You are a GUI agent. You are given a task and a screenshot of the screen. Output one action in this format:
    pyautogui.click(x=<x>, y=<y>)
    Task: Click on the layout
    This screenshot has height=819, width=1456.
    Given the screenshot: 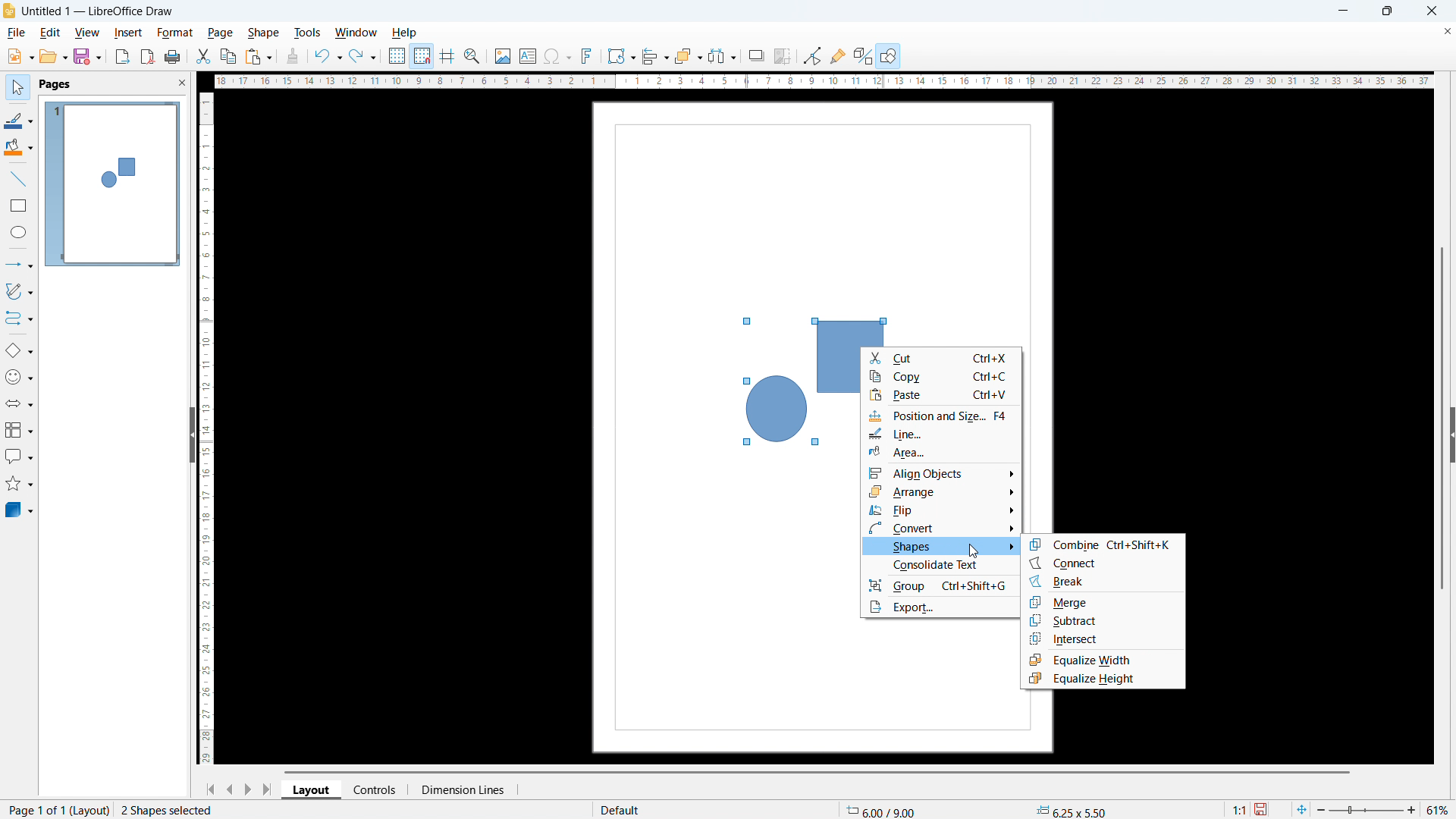 What is the action you would take?
    pyautogui.click(x=312, y=790)
    